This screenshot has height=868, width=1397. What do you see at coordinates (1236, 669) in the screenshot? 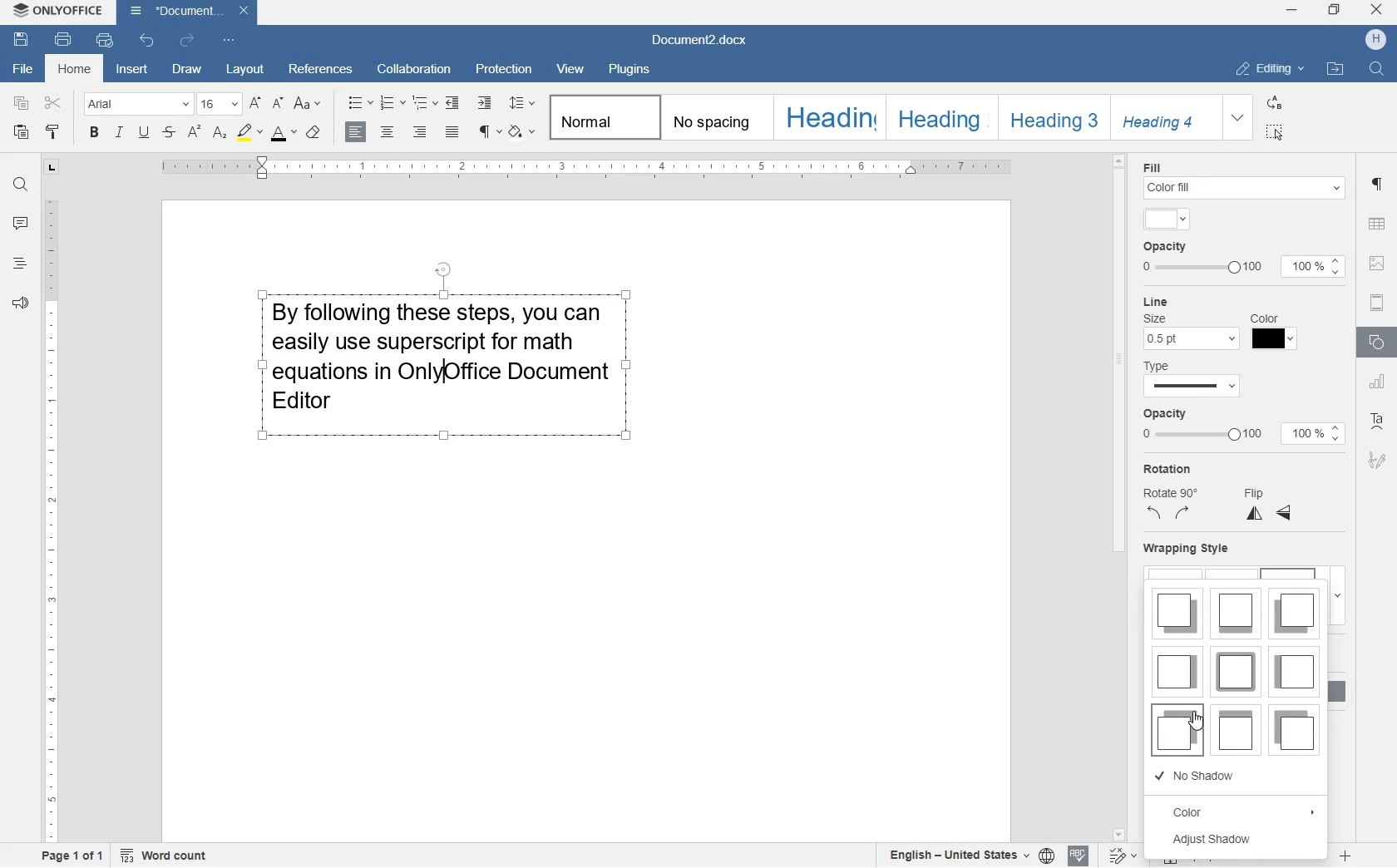
I see `SHADOW STYLES` at bounding box center [1236, 669].